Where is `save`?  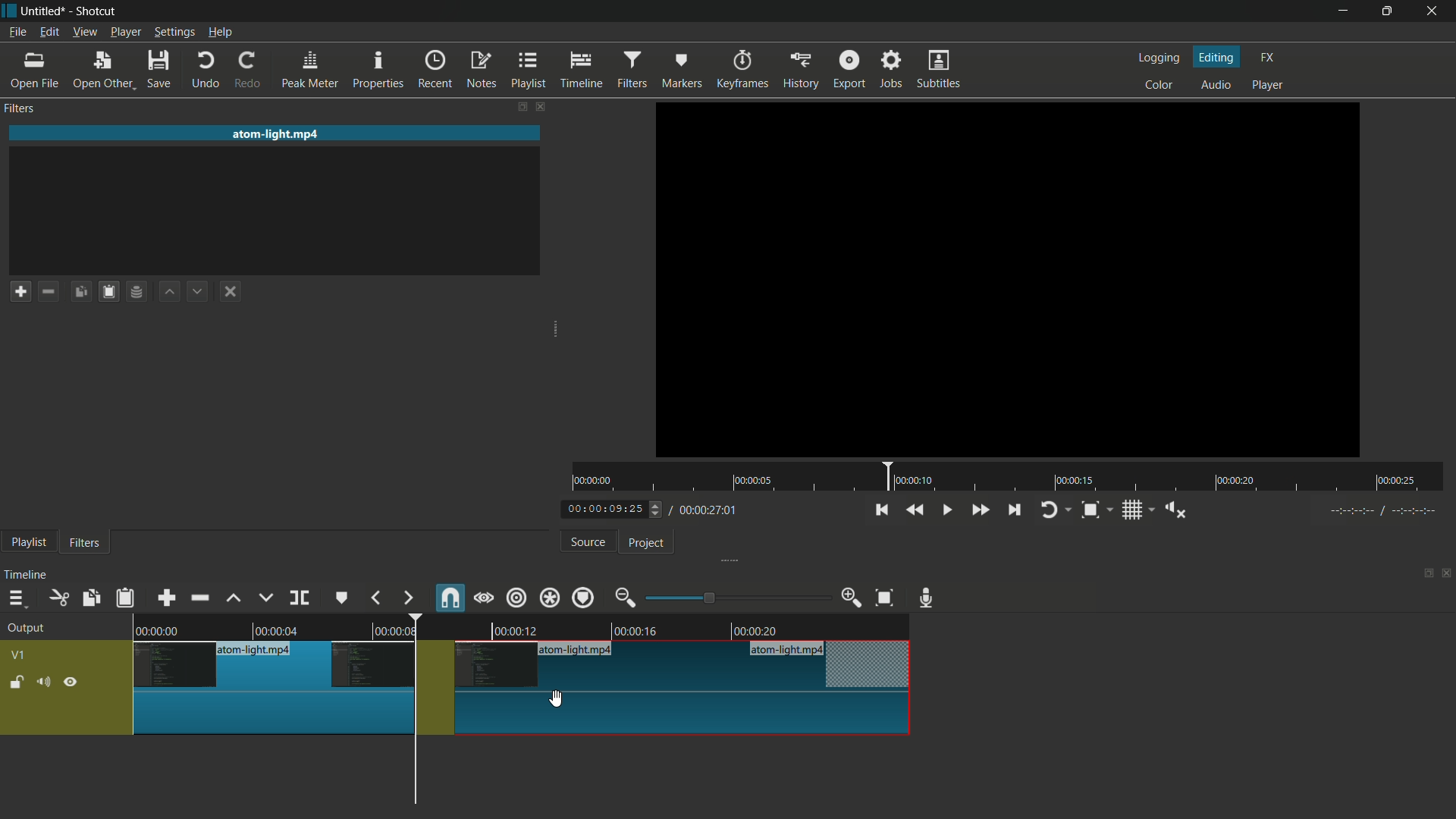 save is located at coordinates (160, 69).